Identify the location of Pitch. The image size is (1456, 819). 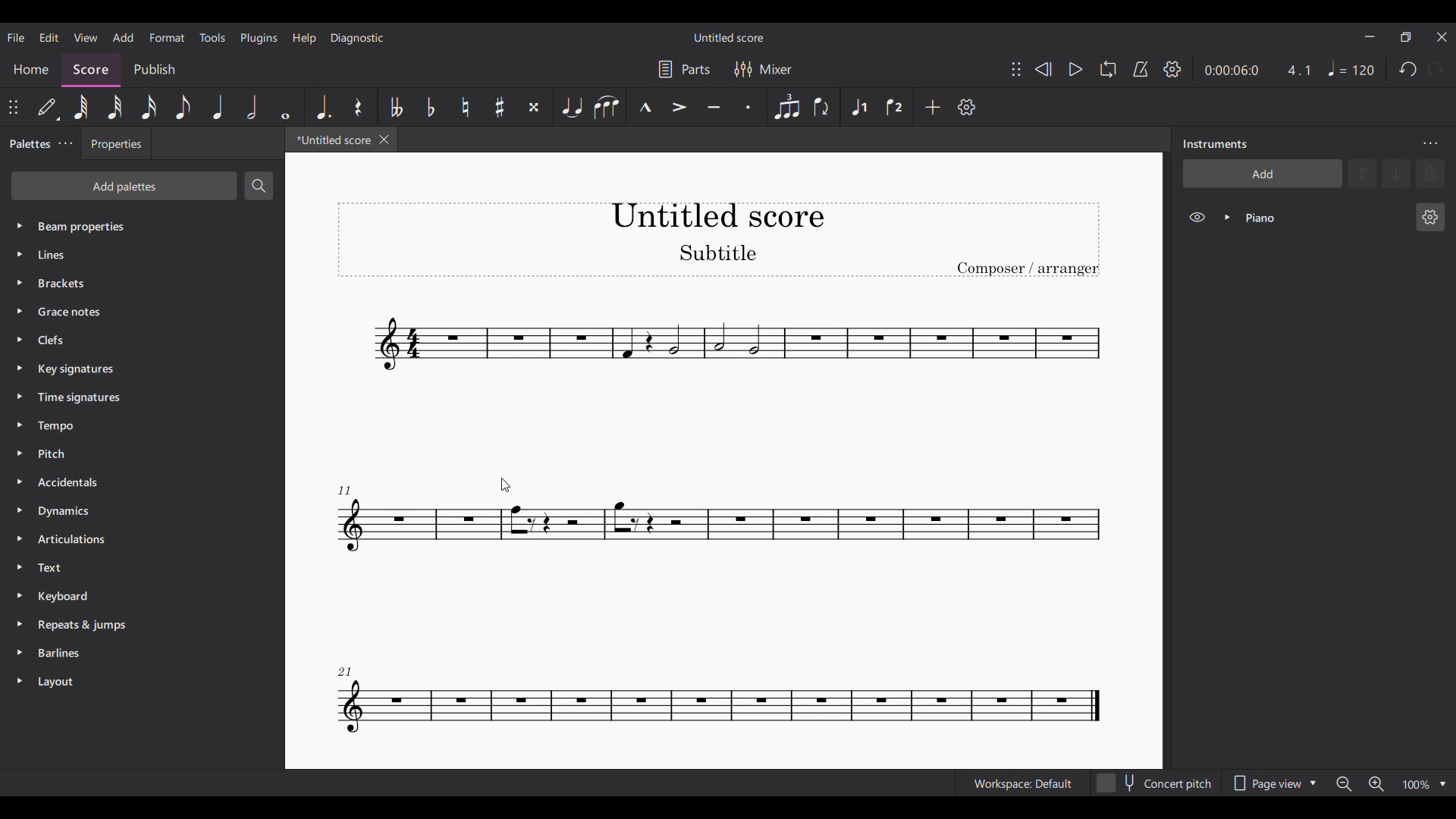
(129, 453).